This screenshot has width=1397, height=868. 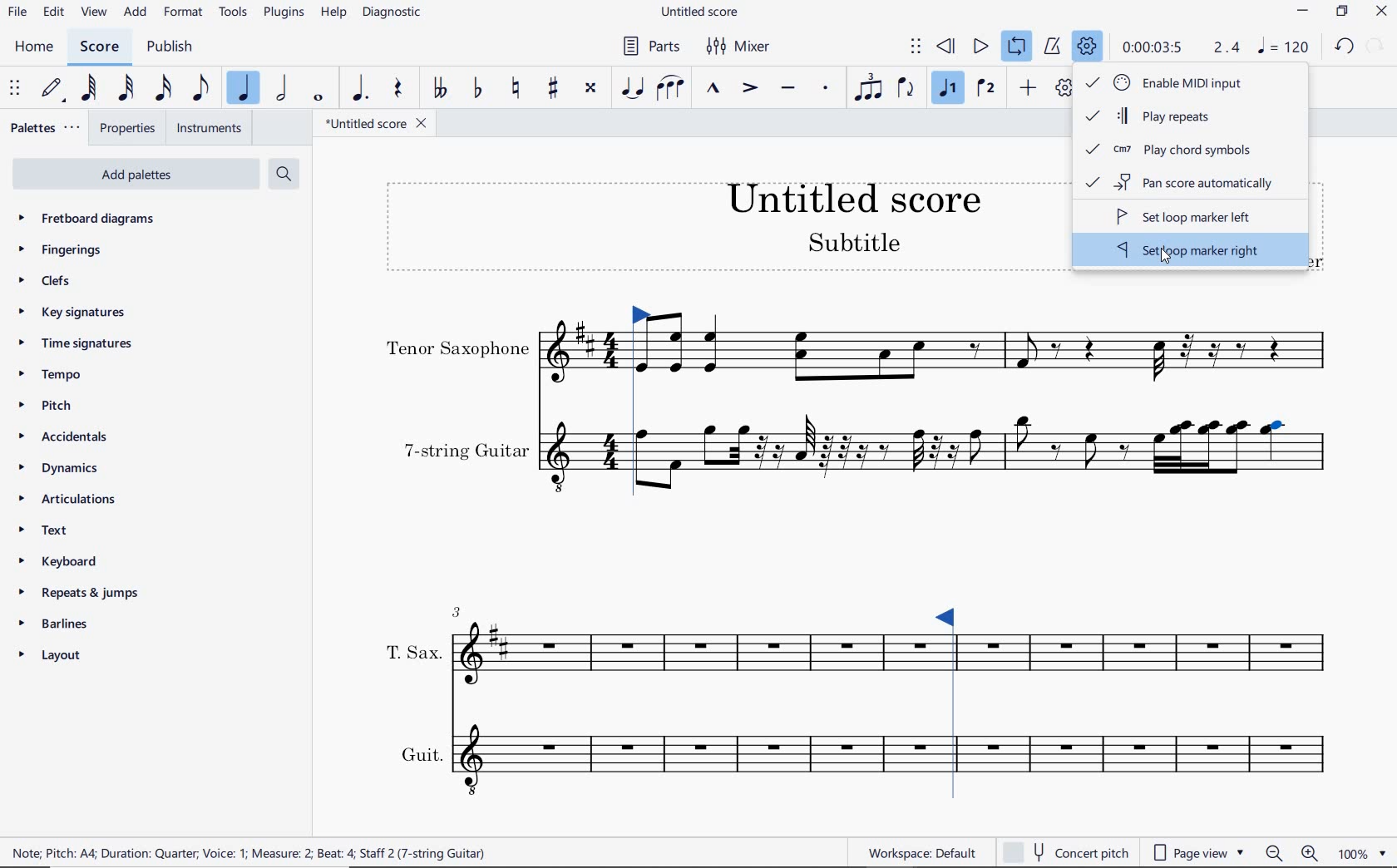 I want to click on set loop marker left, so click(x=1182, y=219).